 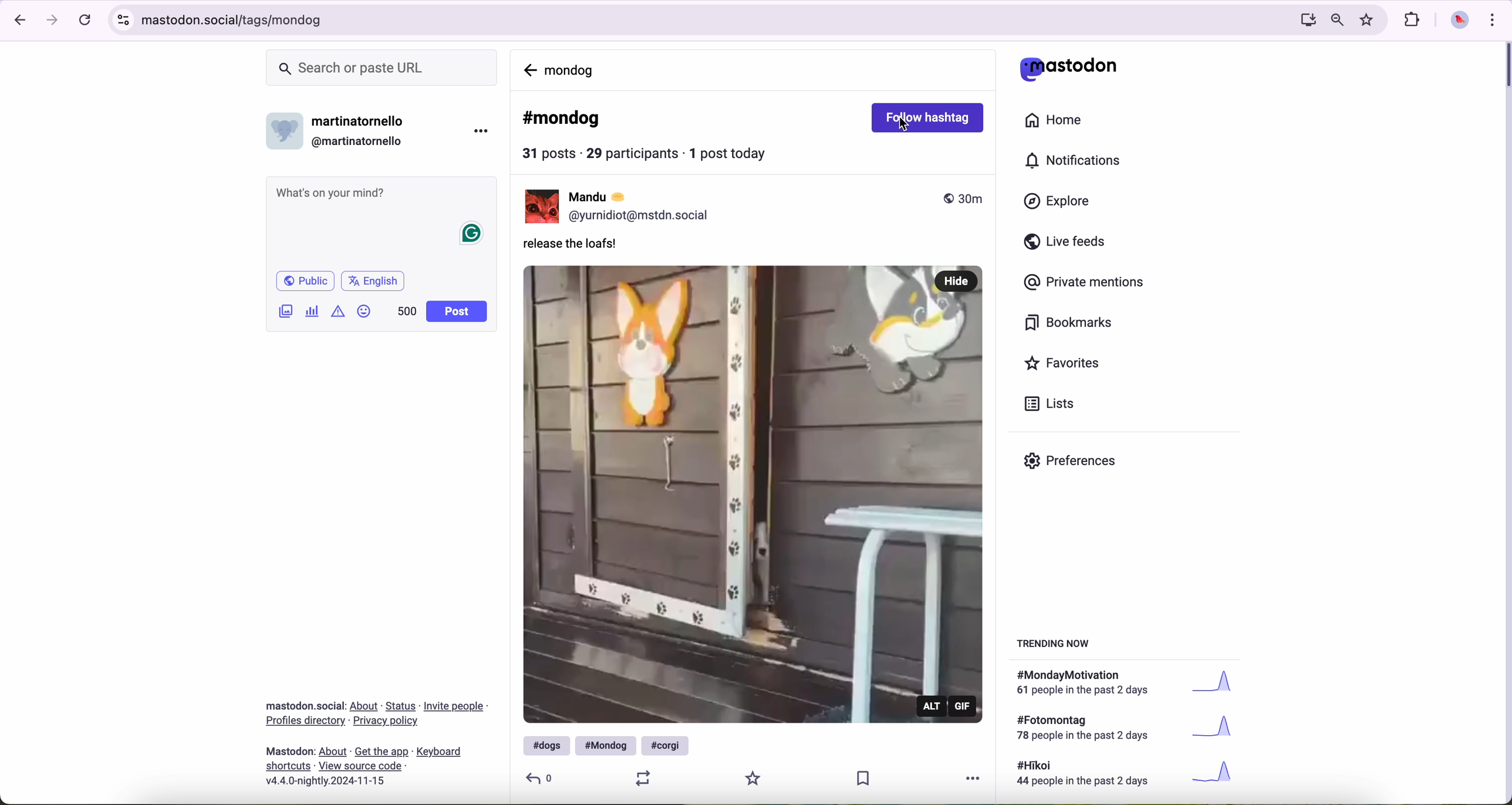 I want to click on user name, so click(x=362, y=122).